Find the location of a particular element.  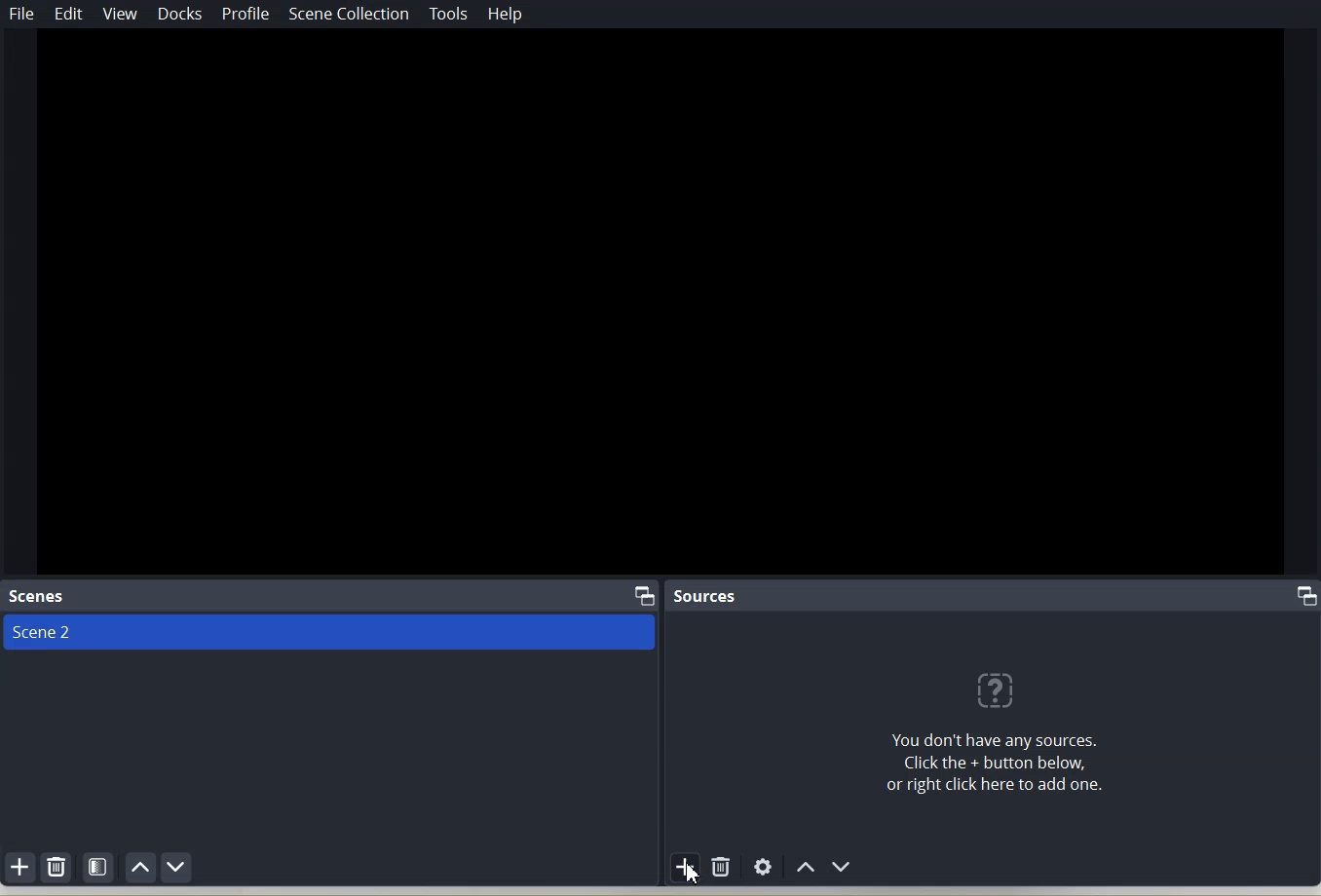

Move Source up is located at coordinates (804, 867).